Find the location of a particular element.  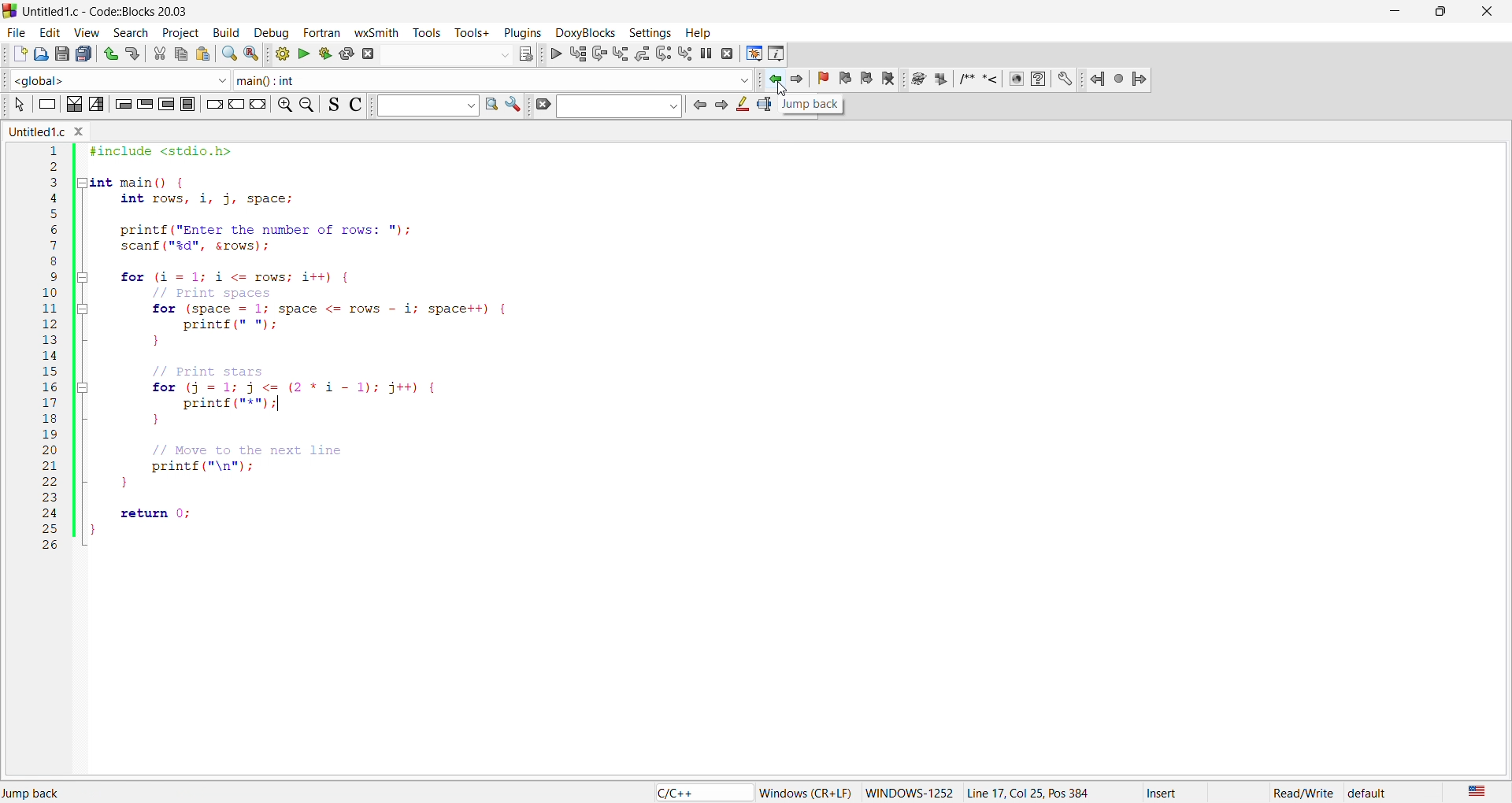

jump forward is located at coordinates (801, 77).